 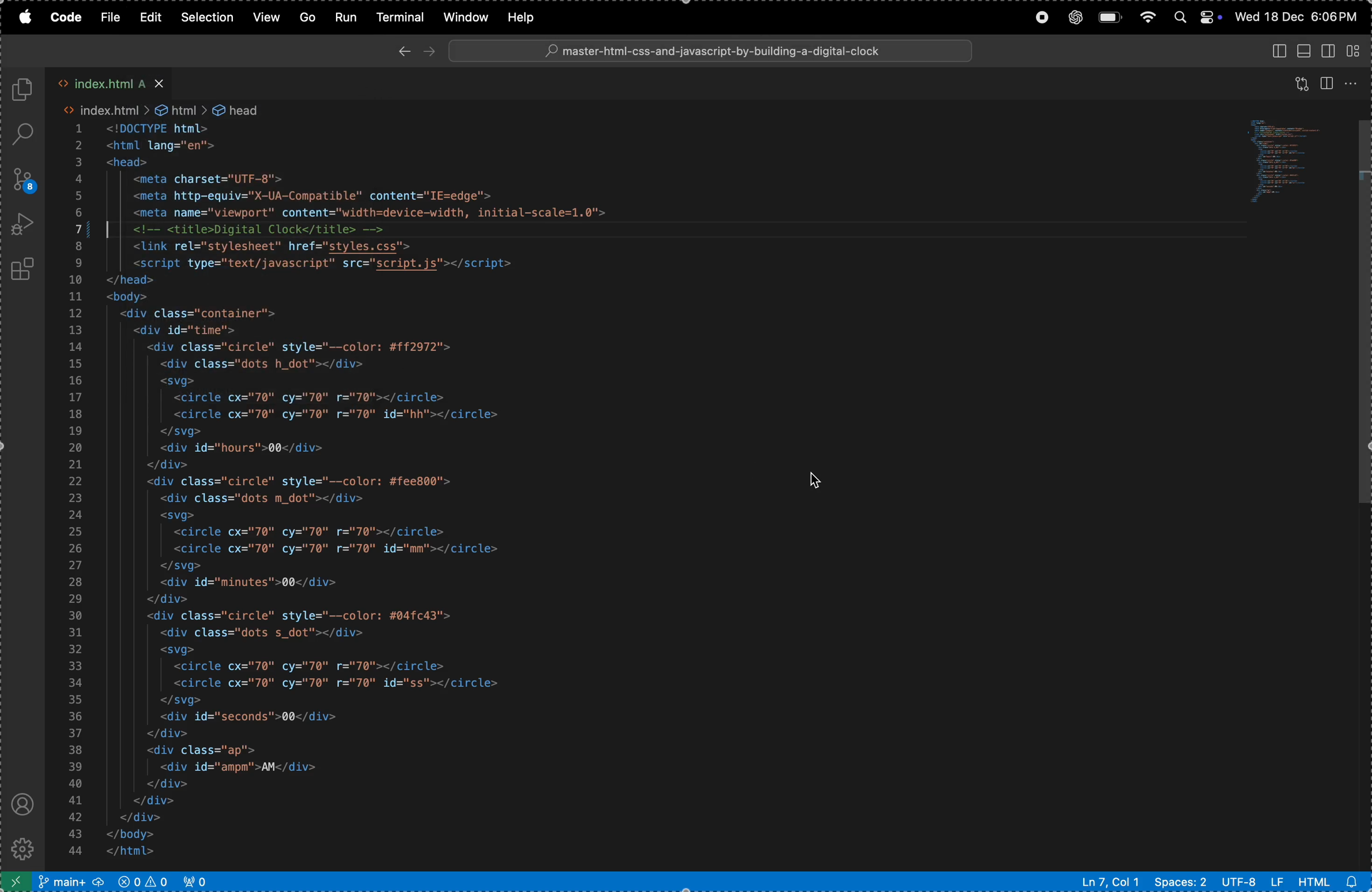 I want to click on split editor, so click(x=1328, y=82).